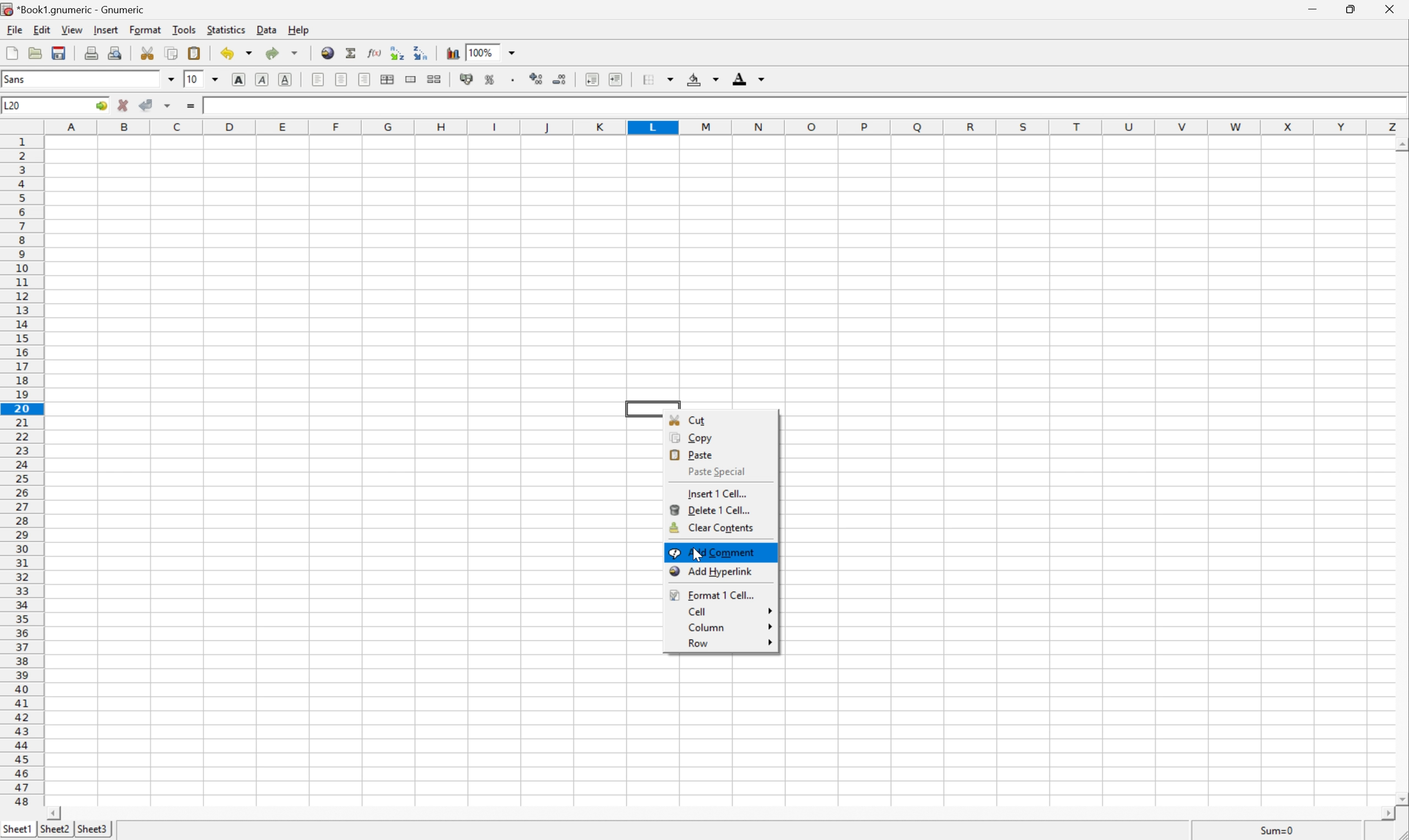  I want to click on Format, so click(144, 29).